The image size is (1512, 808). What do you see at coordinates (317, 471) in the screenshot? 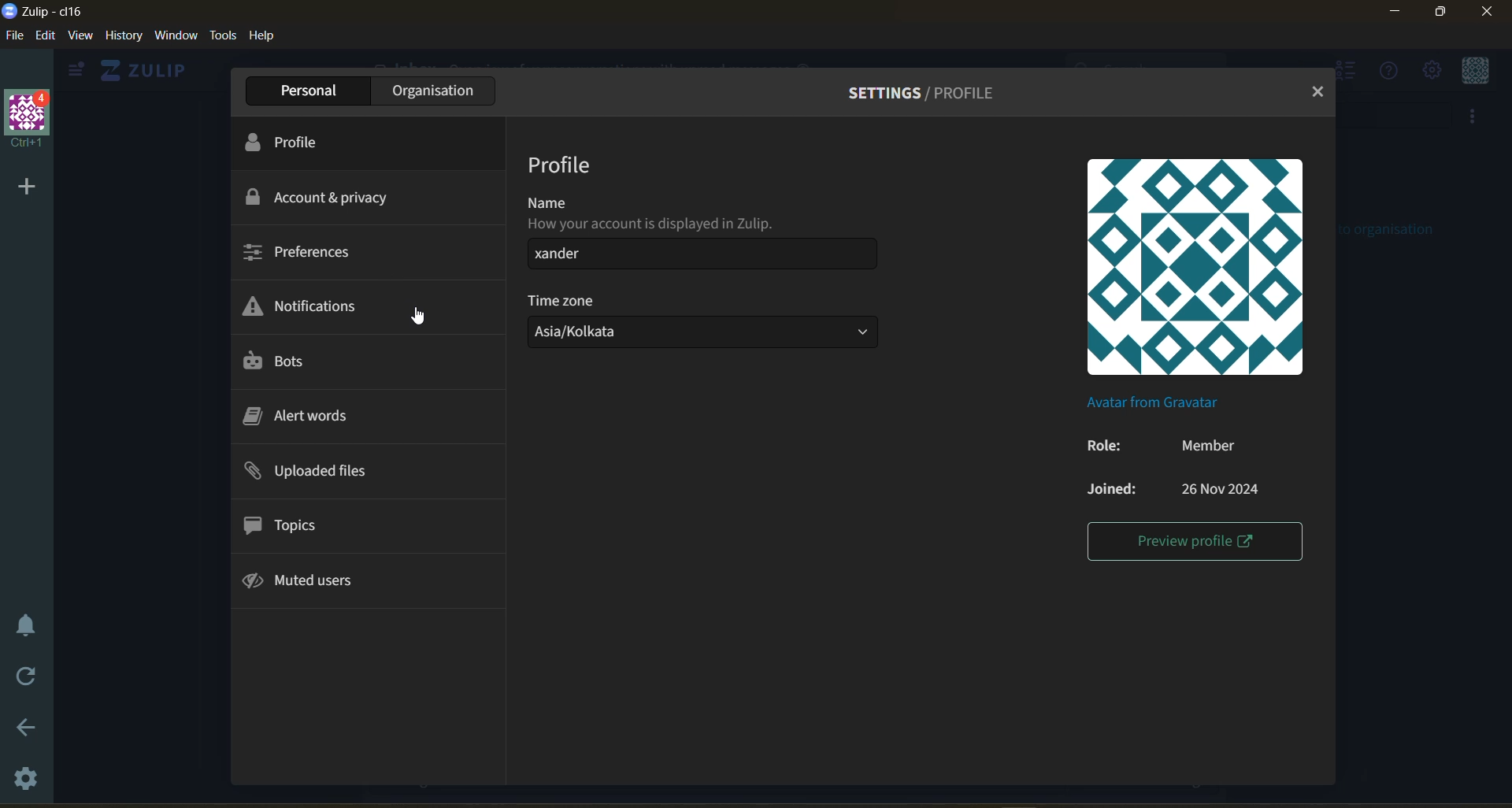
I see `uploaded files` at bounding box center [317, 471].